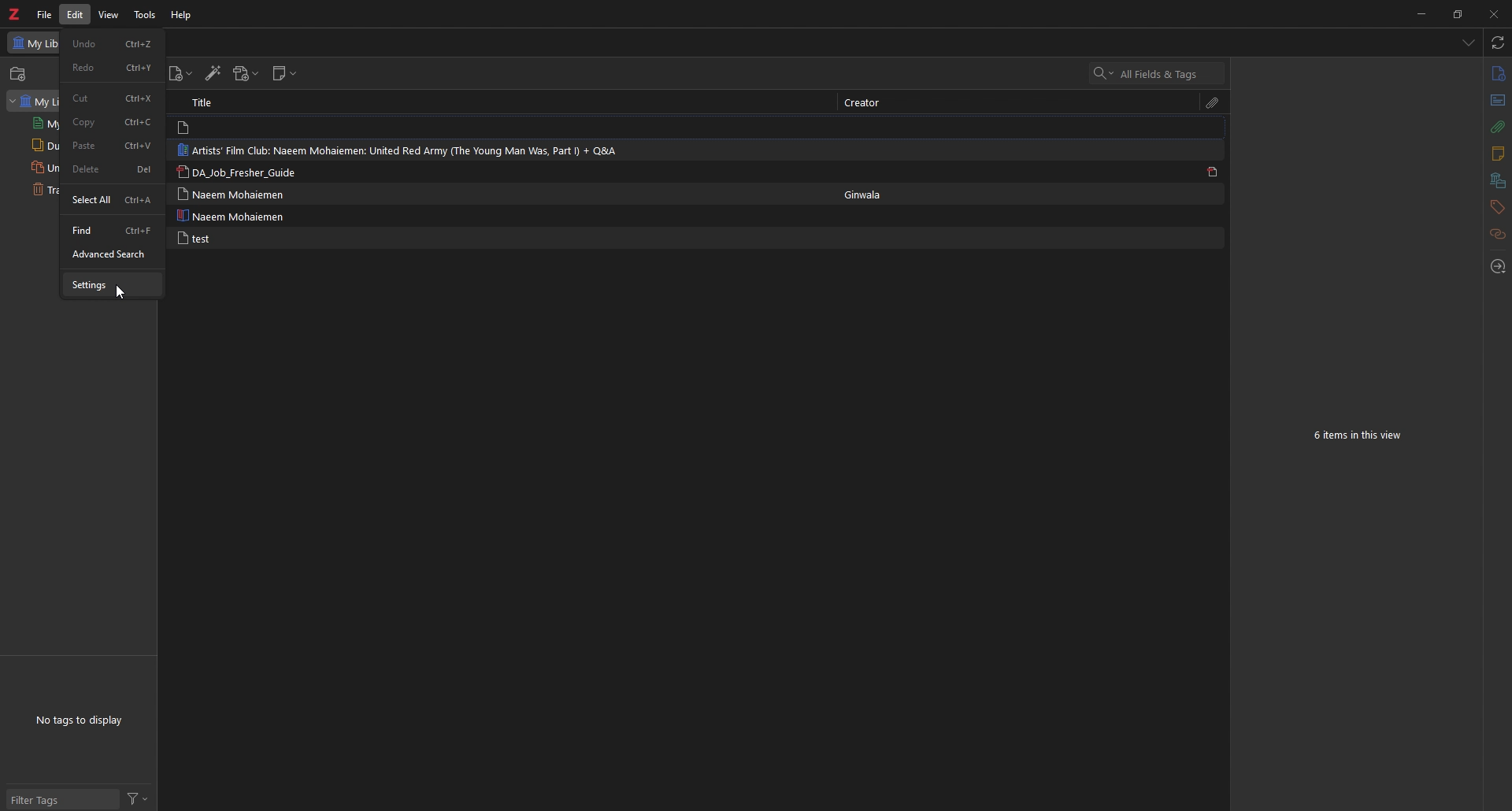 The width and height of the screenshot is (1512, 811). What do you see at coordinates (1361, 436) in the screenshot?
I see `6 items in this view` at bounding box center [1361, 436].